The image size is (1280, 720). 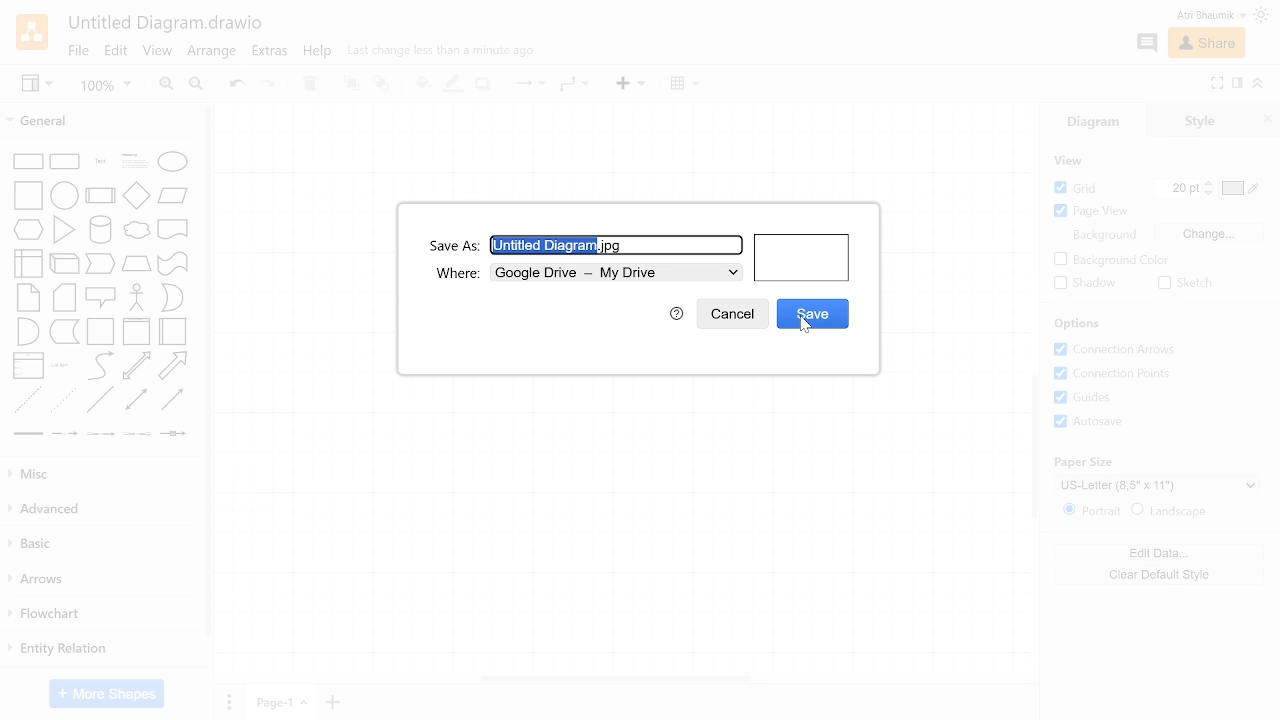 What do you see at coordinates (573, 85) in the screenshot?
I see `Waypoints` at bounding box center [573, 85].